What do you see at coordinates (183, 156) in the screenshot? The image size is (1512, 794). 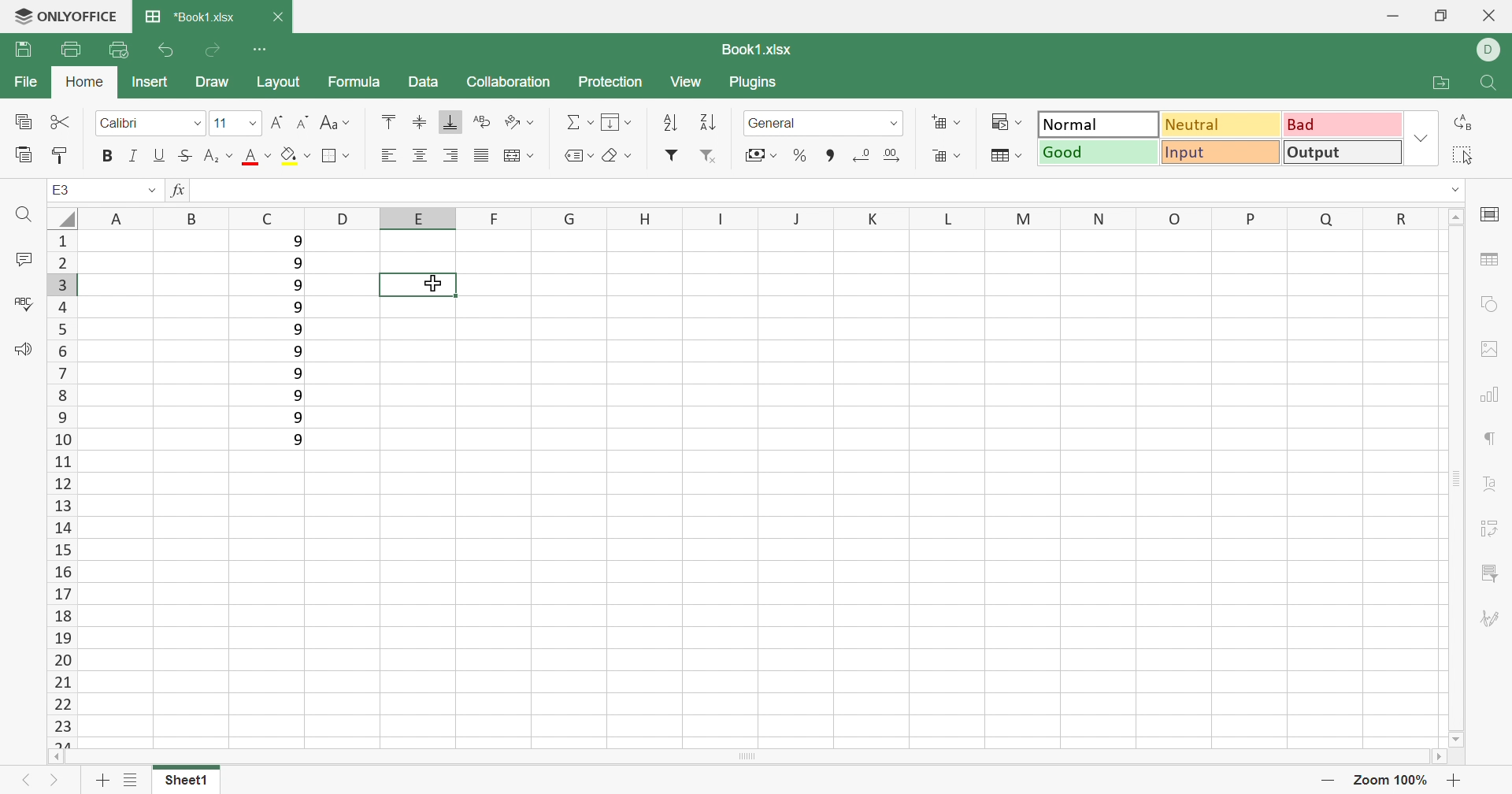 I see `Strikethrough` at bounding box center [183, 156].